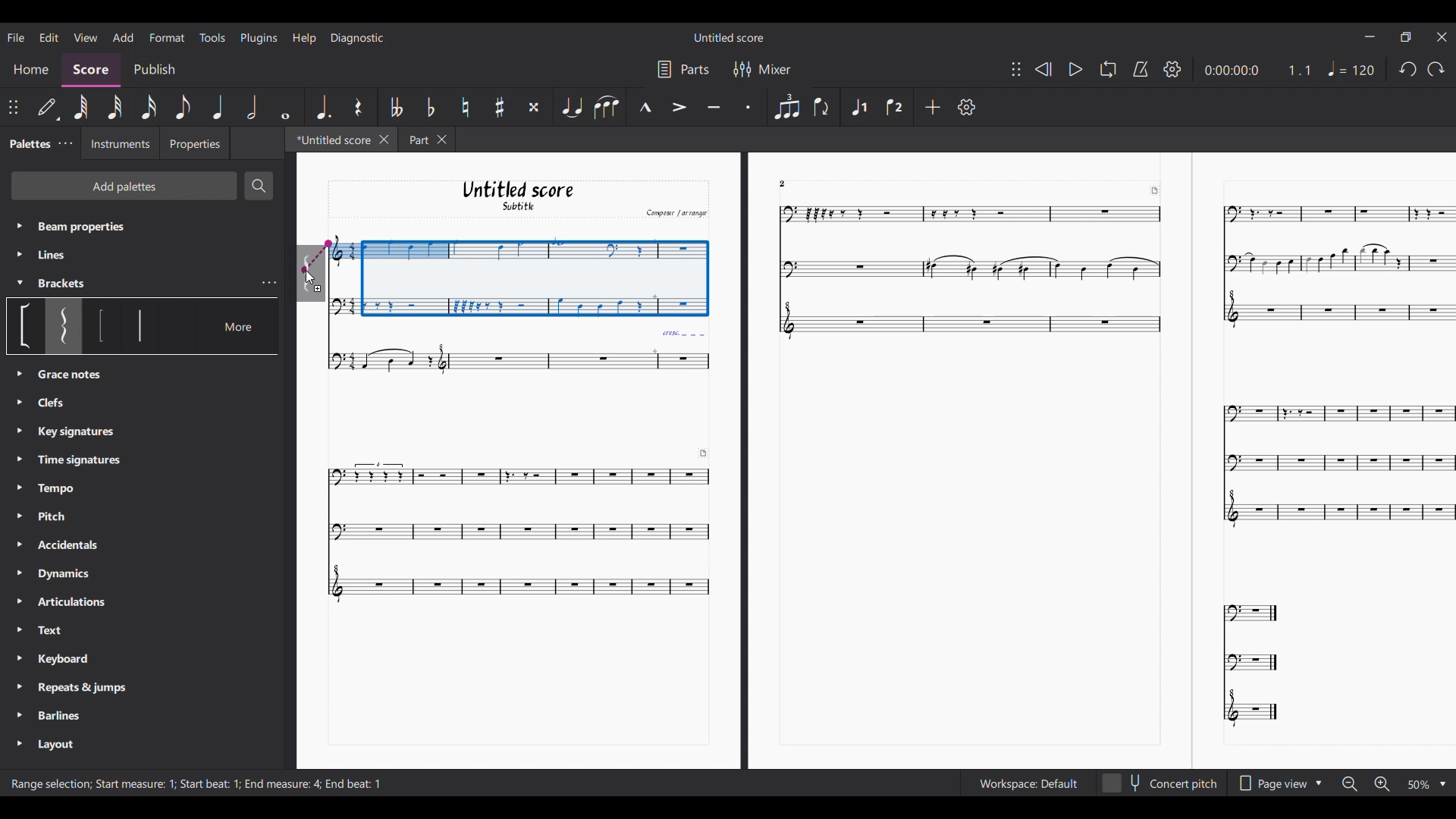 The width and height of the screenshot is (1456, 819). Describe the element at coordinates (821, 108) in the screenshot. I see `Flip direction` at that location.